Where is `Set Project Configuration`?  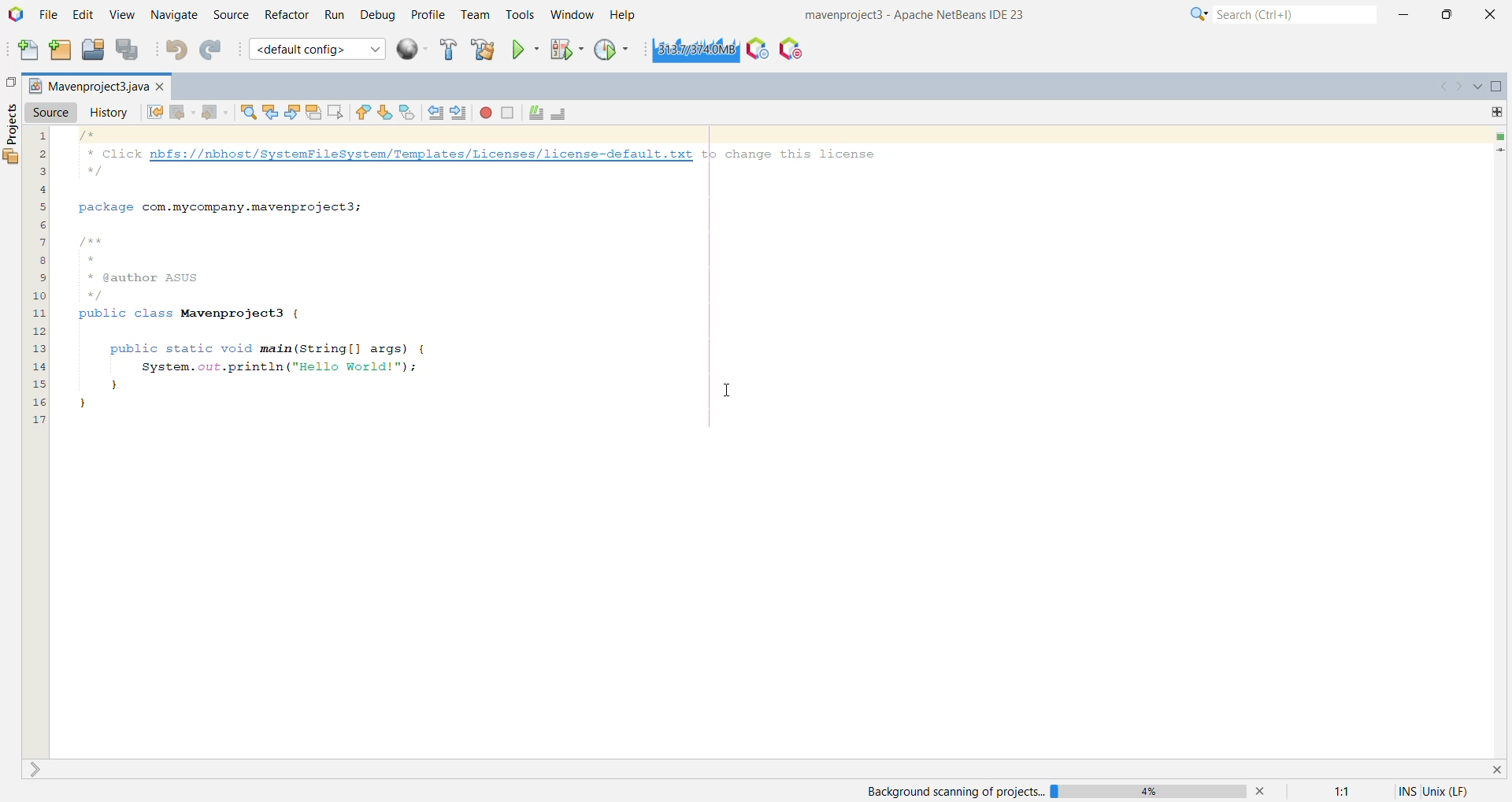
Set Project Configuration is located at coordinates (317, 49).